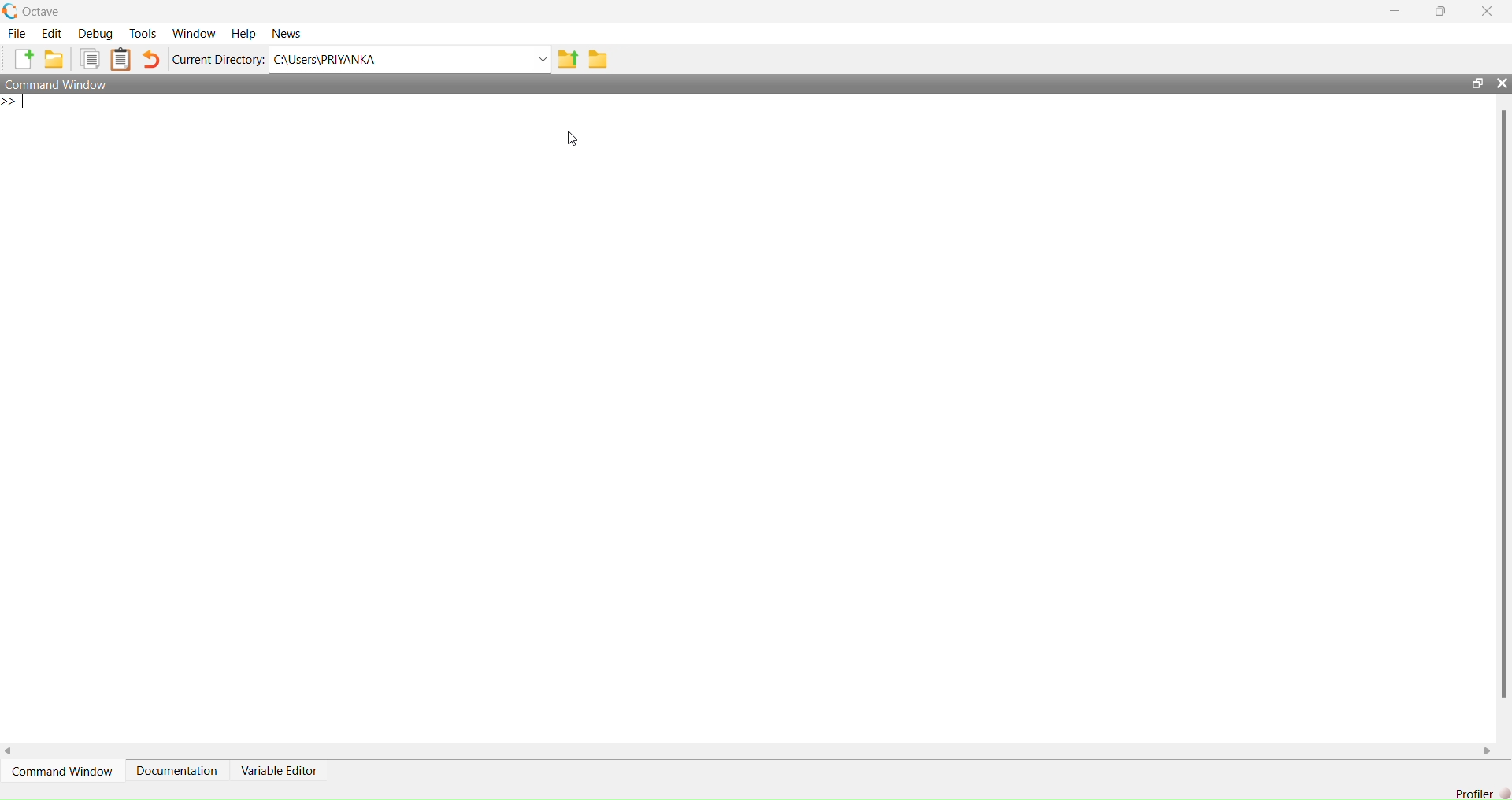  What do you see at coordinates (1504, 401) in the screenshot?
I see `scroll bar` at bounding box center [1504, 401].